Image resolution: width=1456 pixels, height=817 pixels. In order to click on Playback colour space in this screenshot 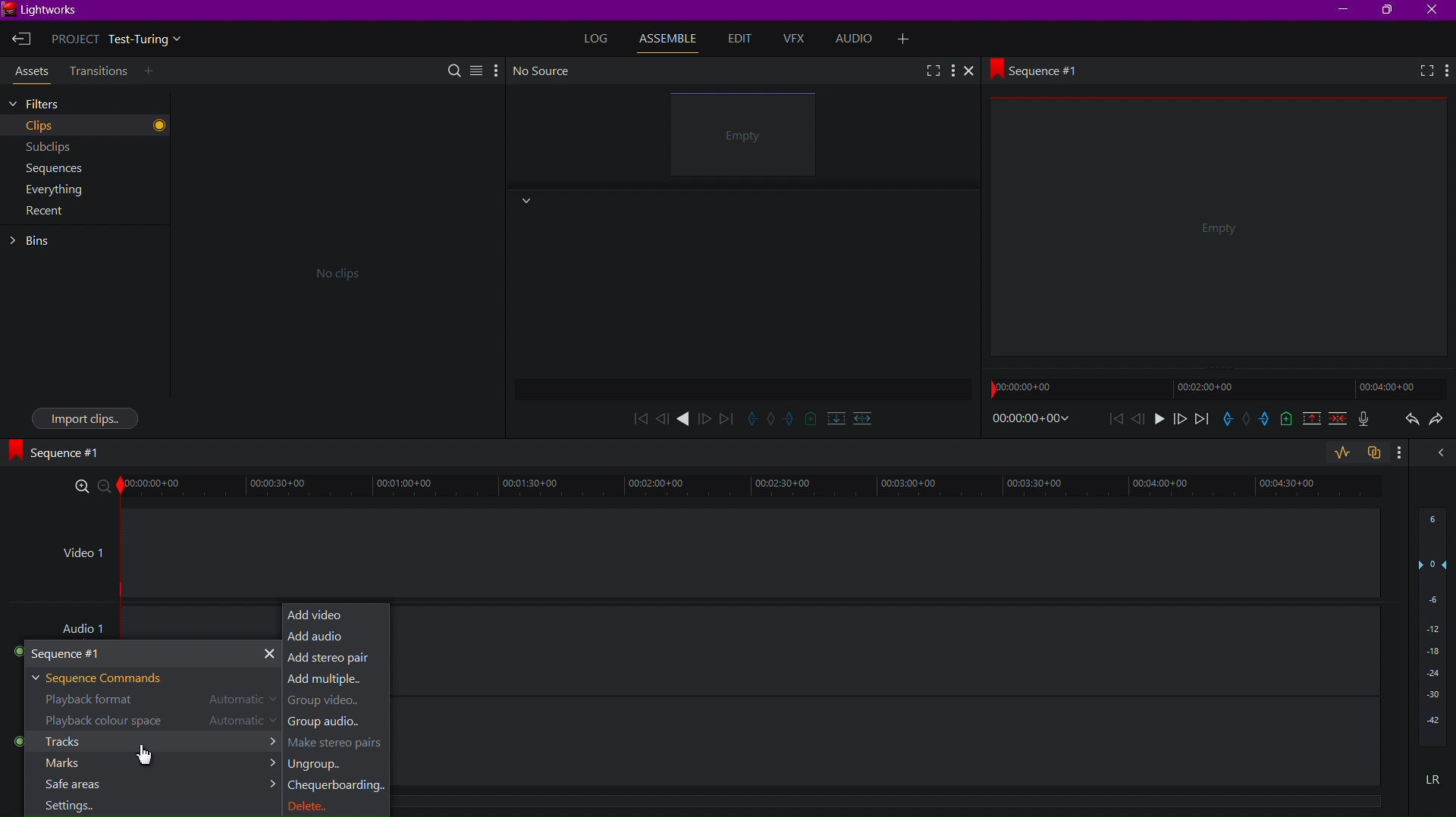, I will do `click(101, 721)`.